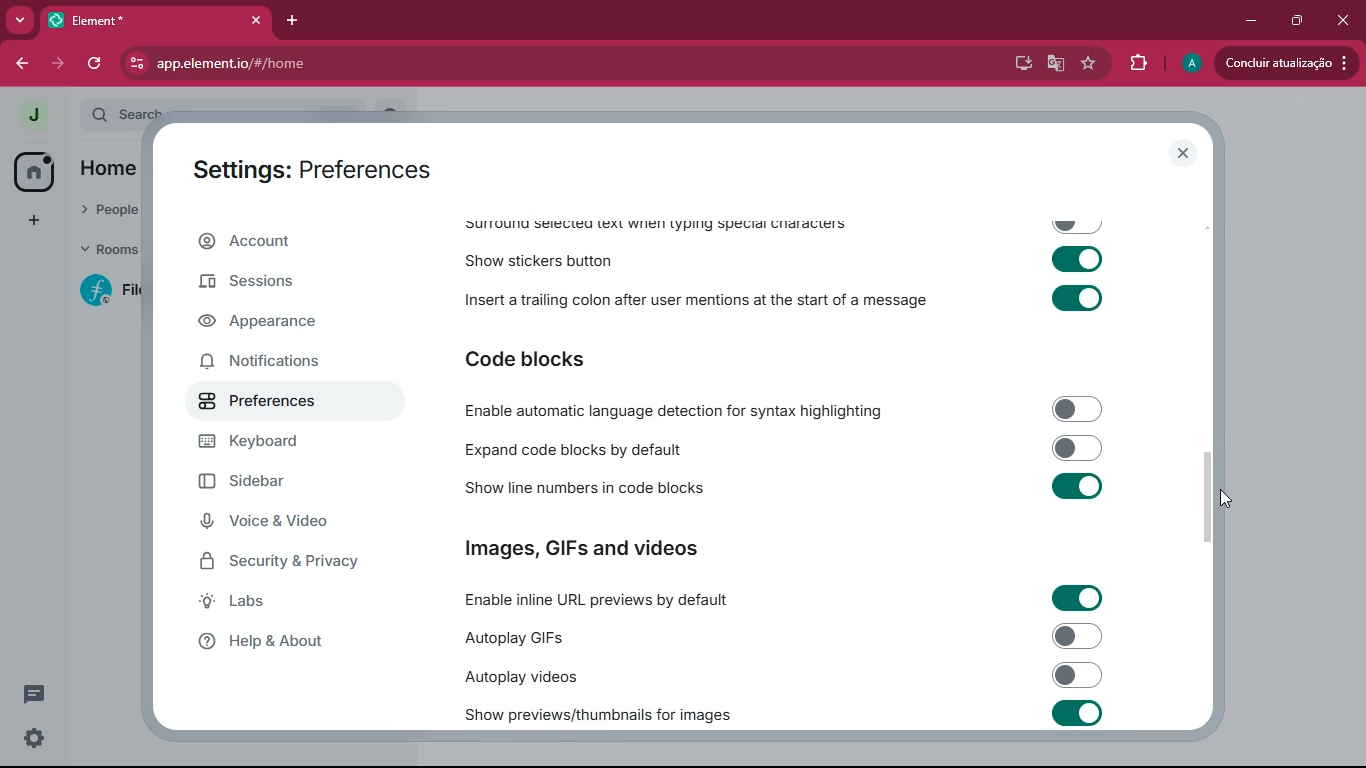  What do you see at coordinates (783, 676) in the screenshot?
I see `Autoplay videos` at bounding box center [783, 676].